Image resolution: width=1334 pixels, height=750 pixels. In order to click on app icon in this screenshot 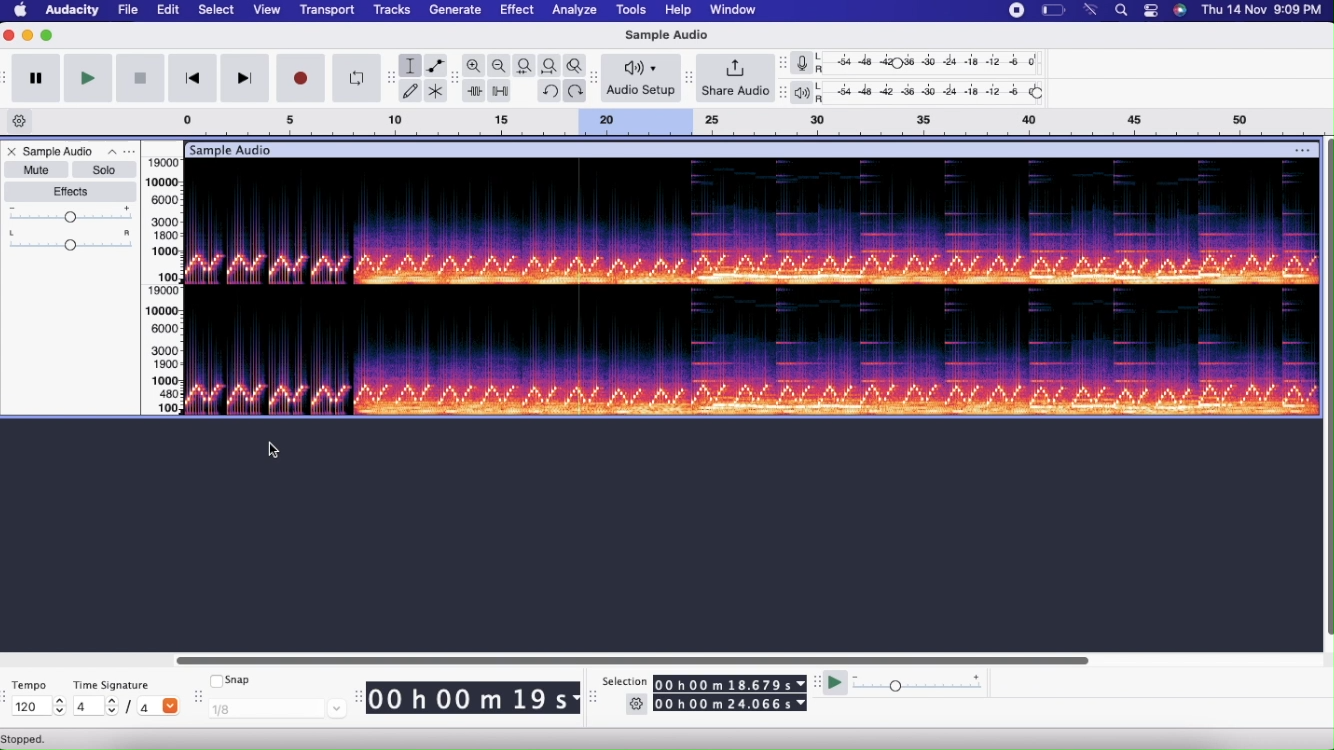, I will do `click(1180, 11)`.